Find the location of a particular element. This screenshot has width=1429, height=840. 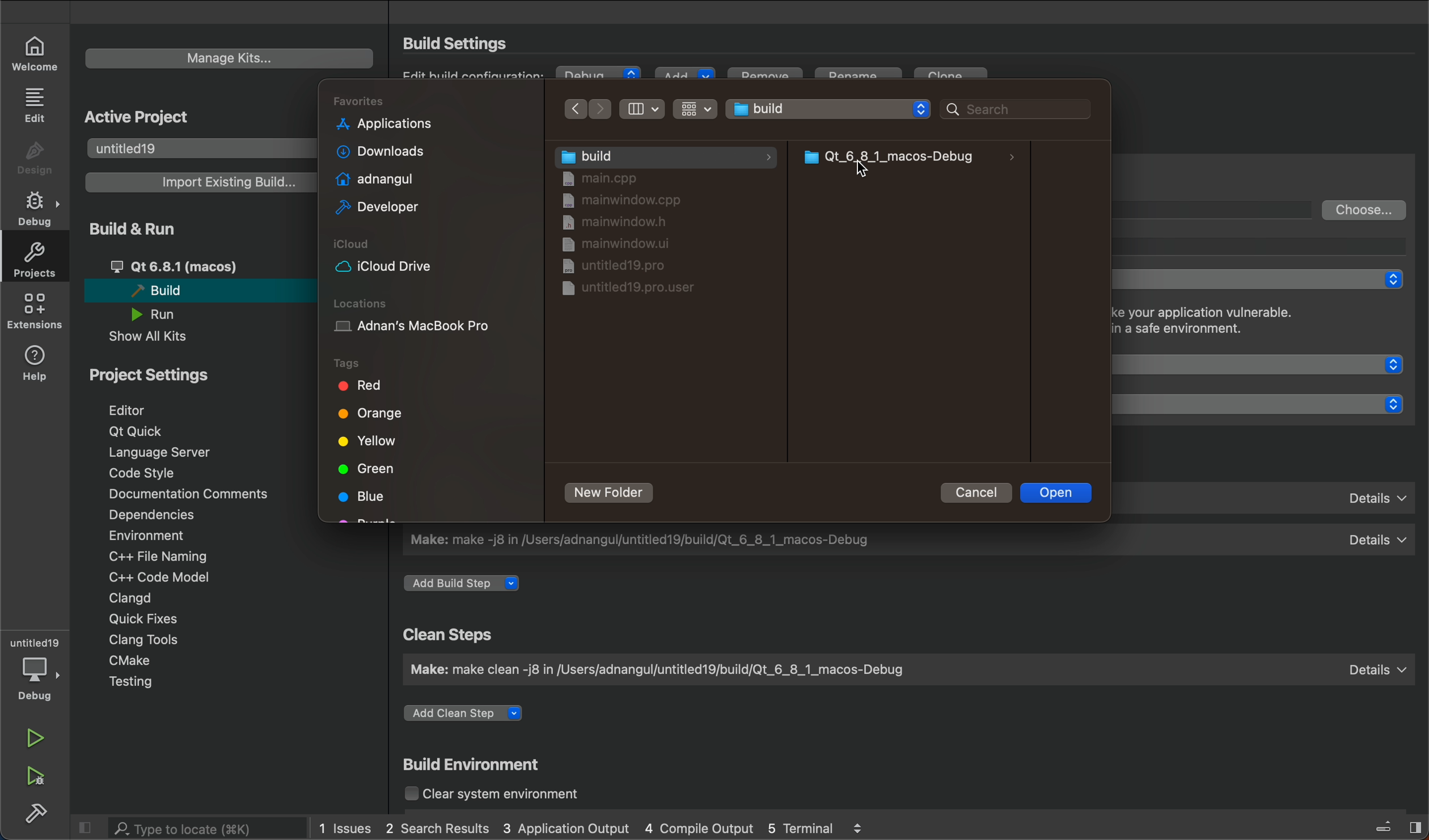

run is located at coordinates (164, 314).